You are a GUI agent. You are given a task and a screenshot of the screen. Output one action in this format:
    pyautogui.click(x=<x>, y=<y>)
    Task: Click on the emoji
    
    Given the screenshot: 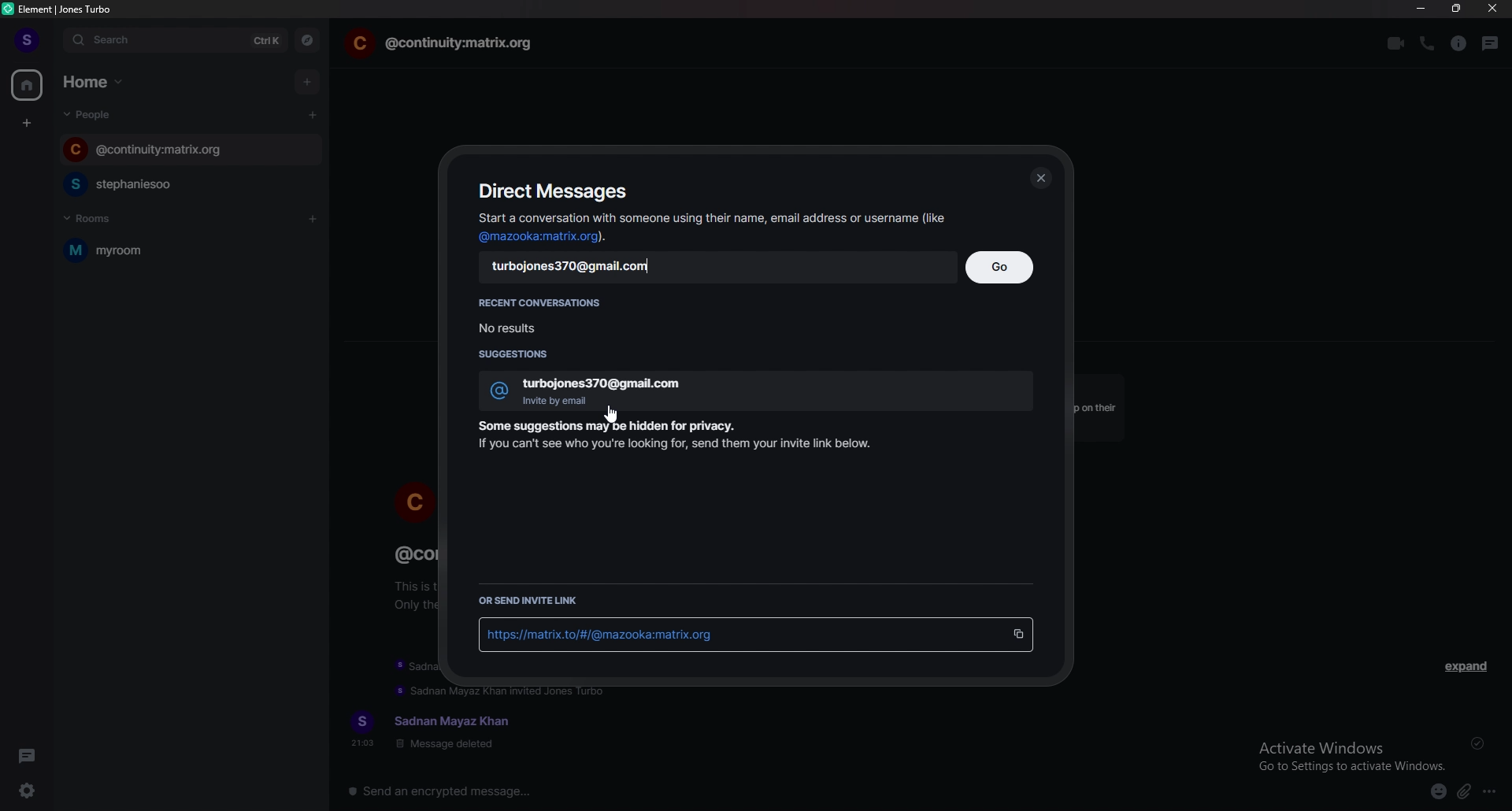 What is the action you would take?
    pyautogui.click(x=1439, y=793)
    